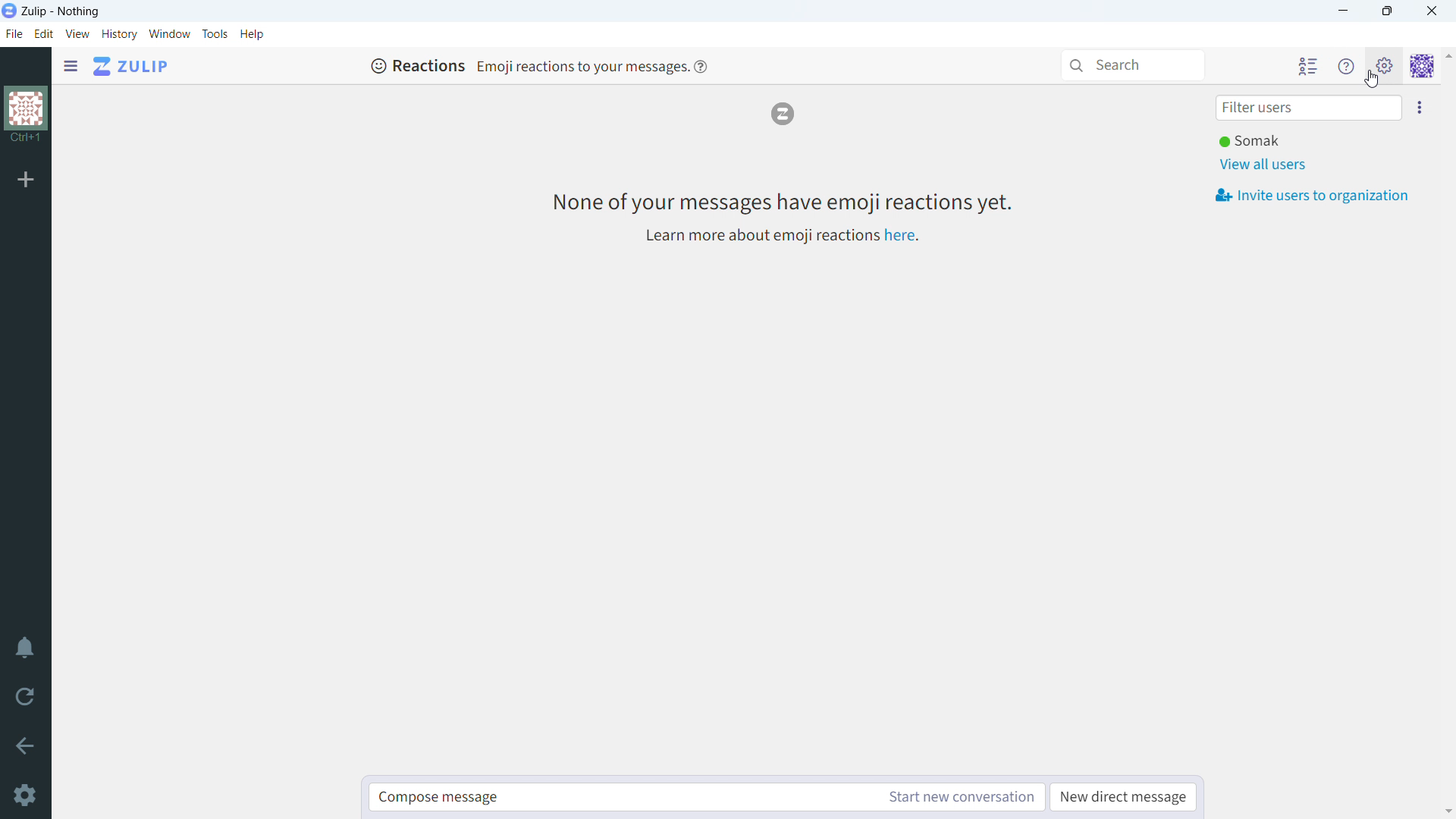 The height and width of the screenshot is (819, 1456). Describe the element at coordinates (1423, 66) in the screenshot. I see `personal menu` at that location.